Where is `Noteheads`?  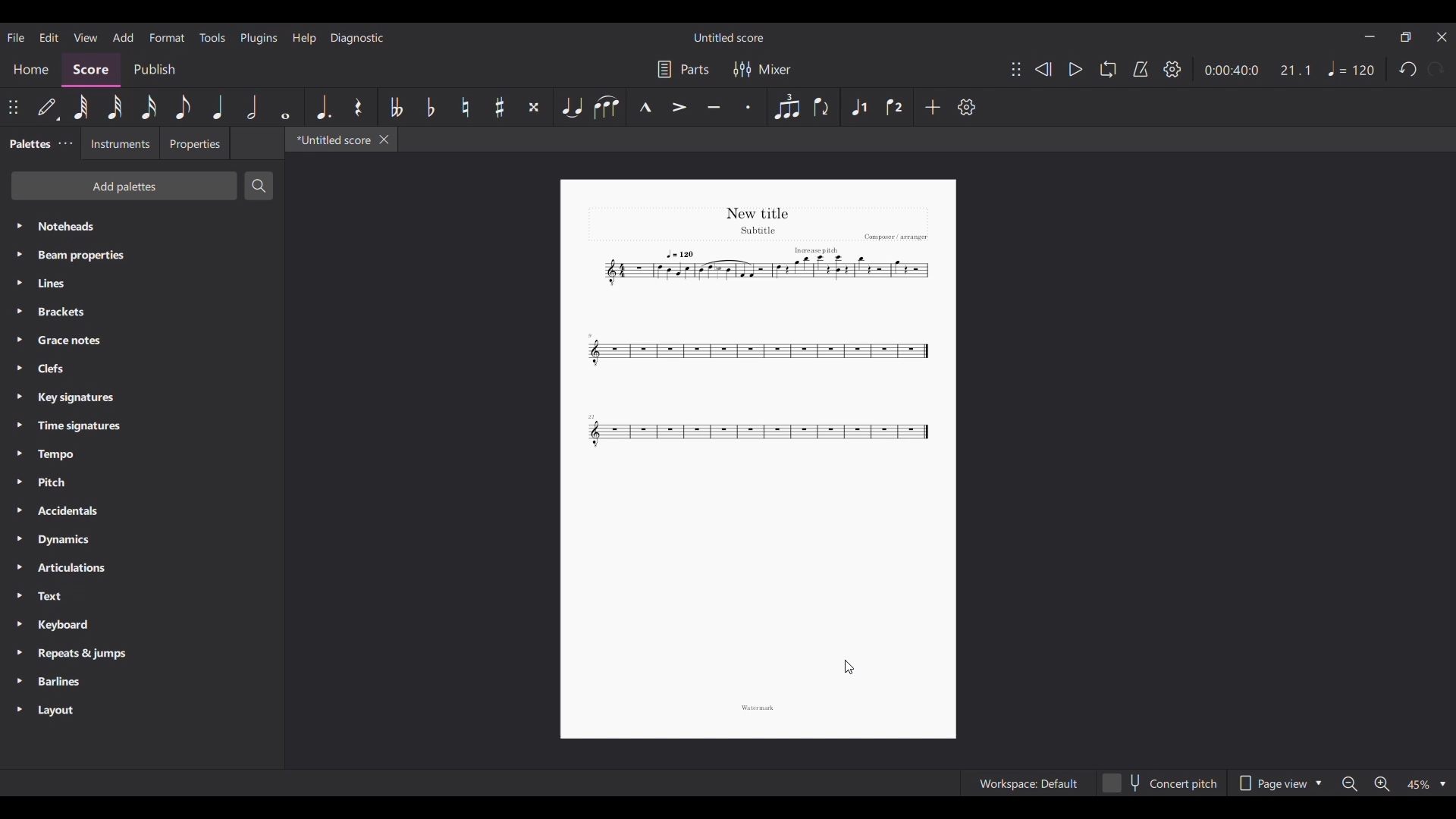
Noteheads is located at coordinates (143, 226).